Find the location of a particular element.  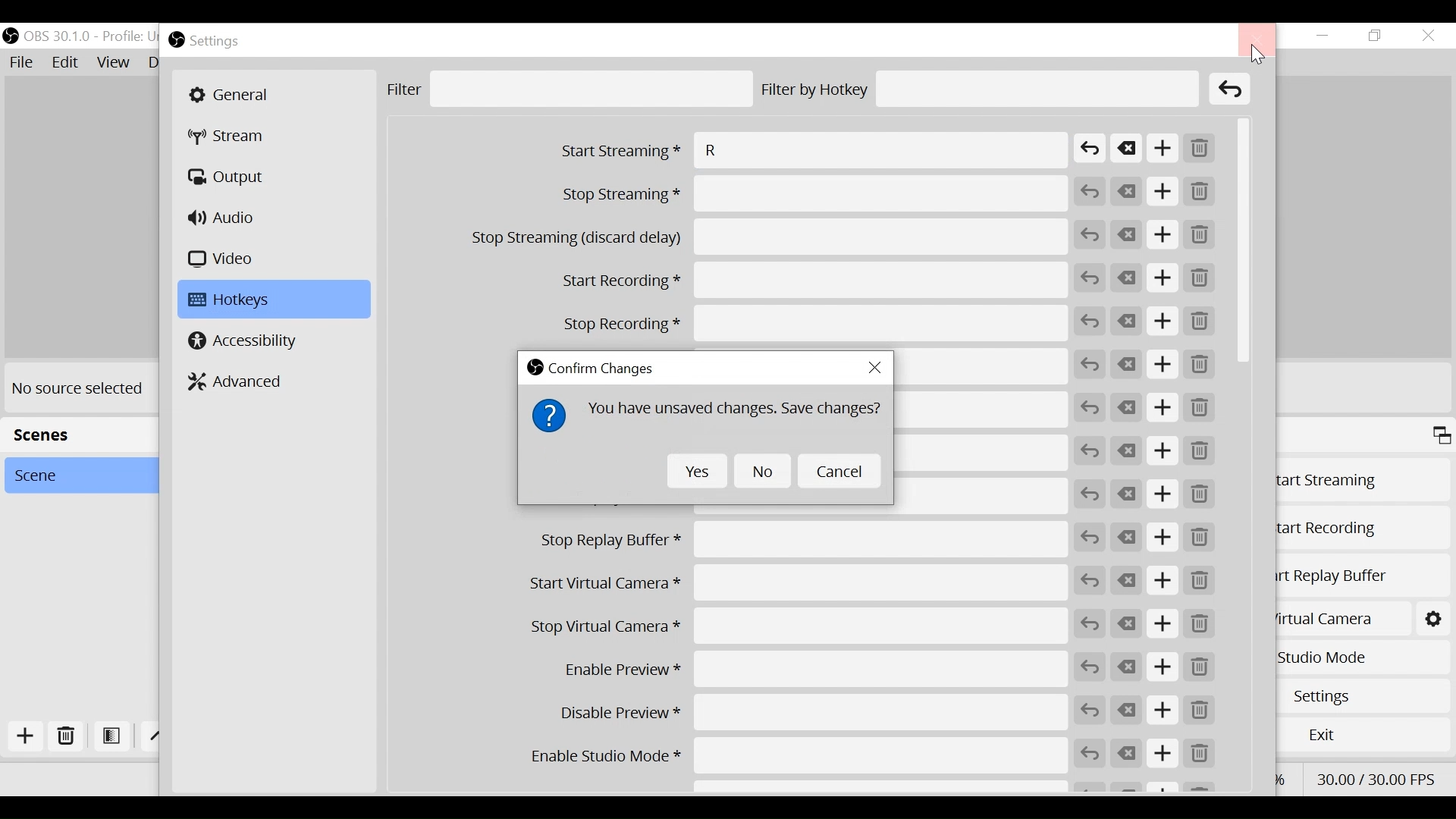

Add is located at coordinates (1163, 754).